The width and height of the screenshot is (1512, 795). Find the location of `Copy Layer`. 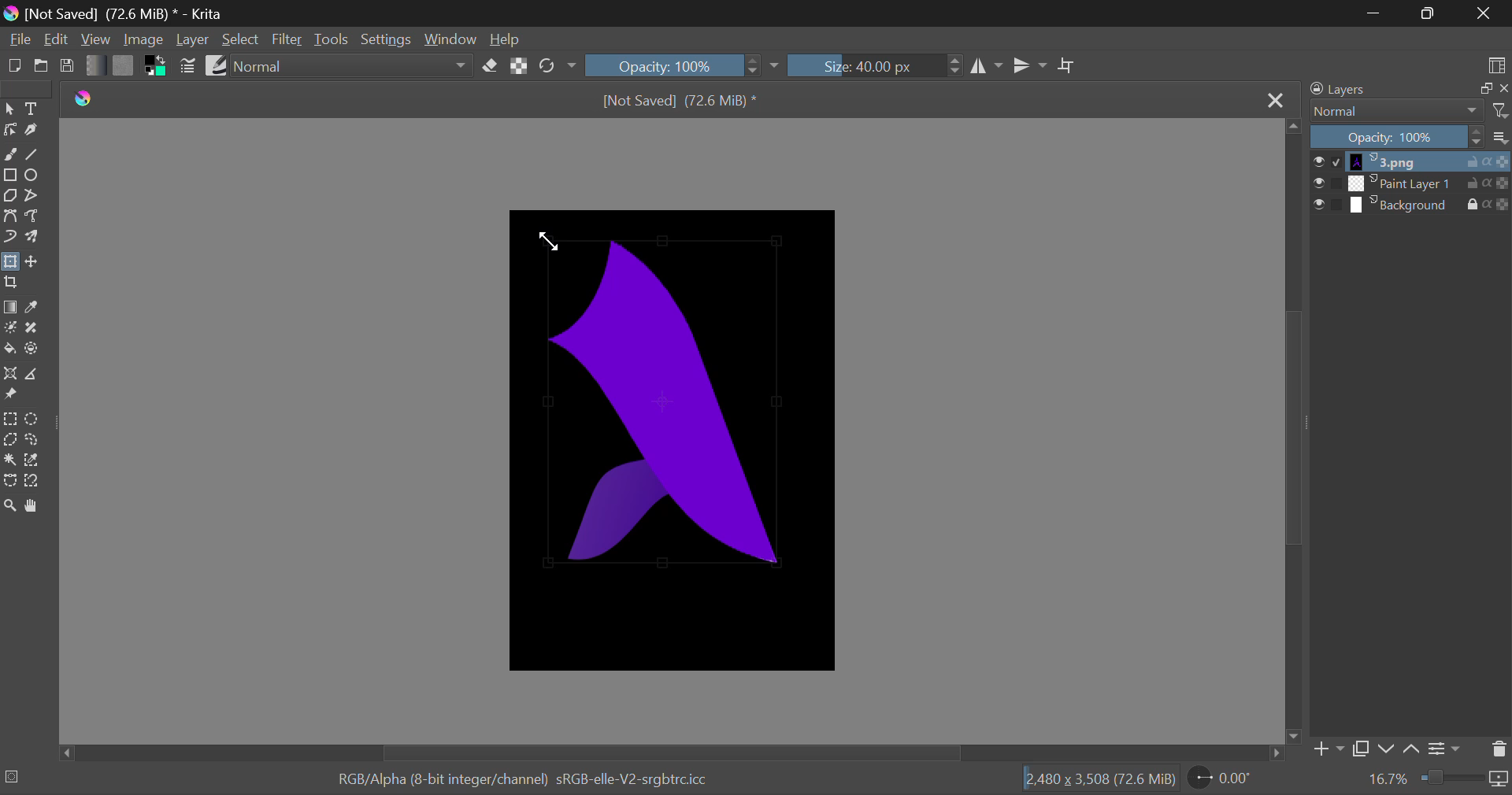

Copy Layer is located at coordinates (1362, 750).